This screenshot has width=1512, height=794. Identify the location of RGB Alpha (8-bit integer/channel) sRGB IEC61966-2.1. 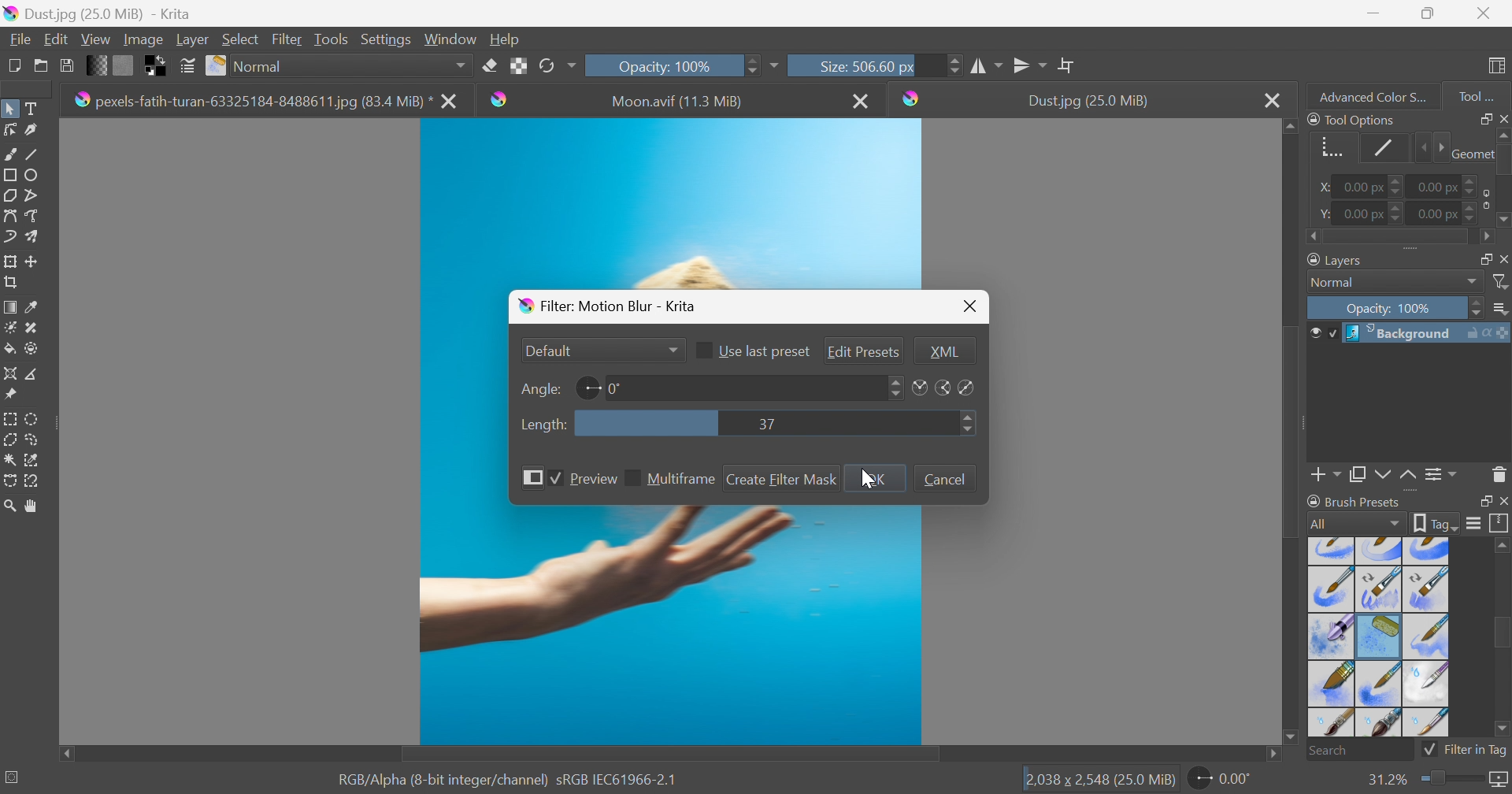
(508, 778).